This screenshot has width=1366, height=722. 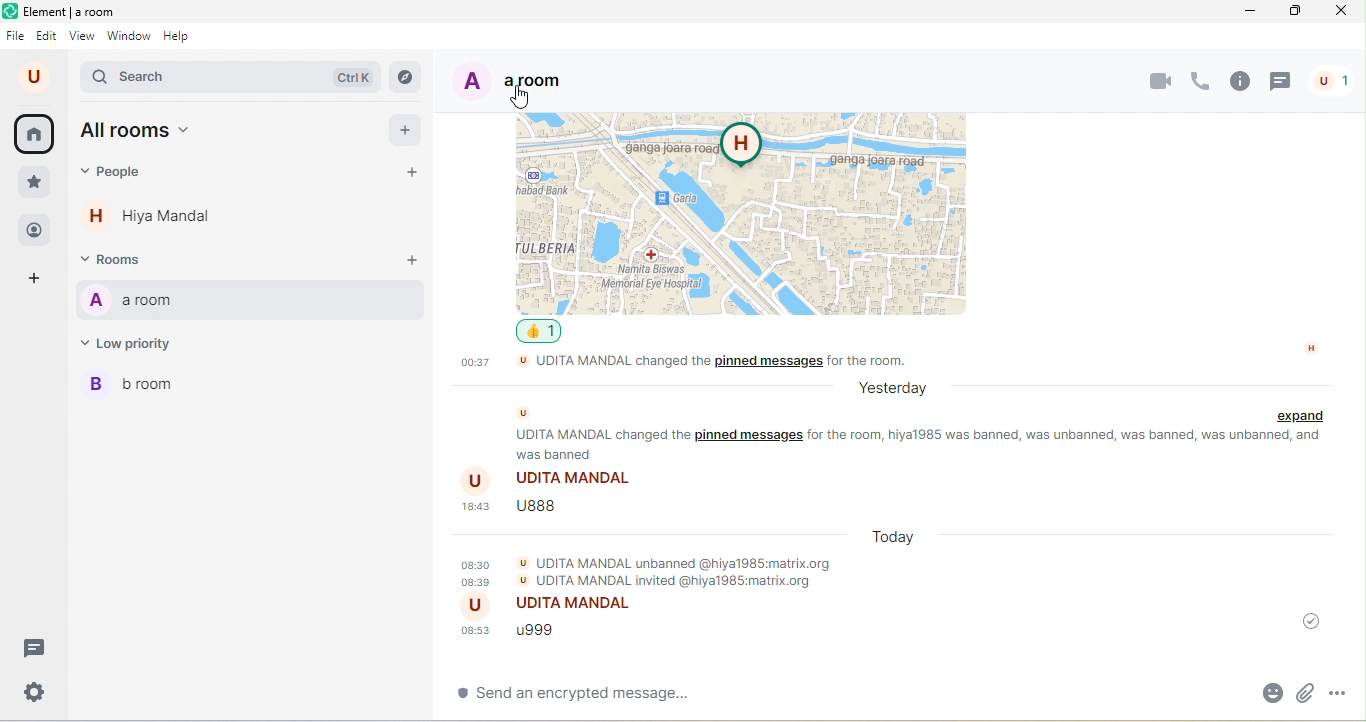 What do you see at coordinates (411, 261) in the screenshot?
I see `add room` at bounding box center [411, 261].